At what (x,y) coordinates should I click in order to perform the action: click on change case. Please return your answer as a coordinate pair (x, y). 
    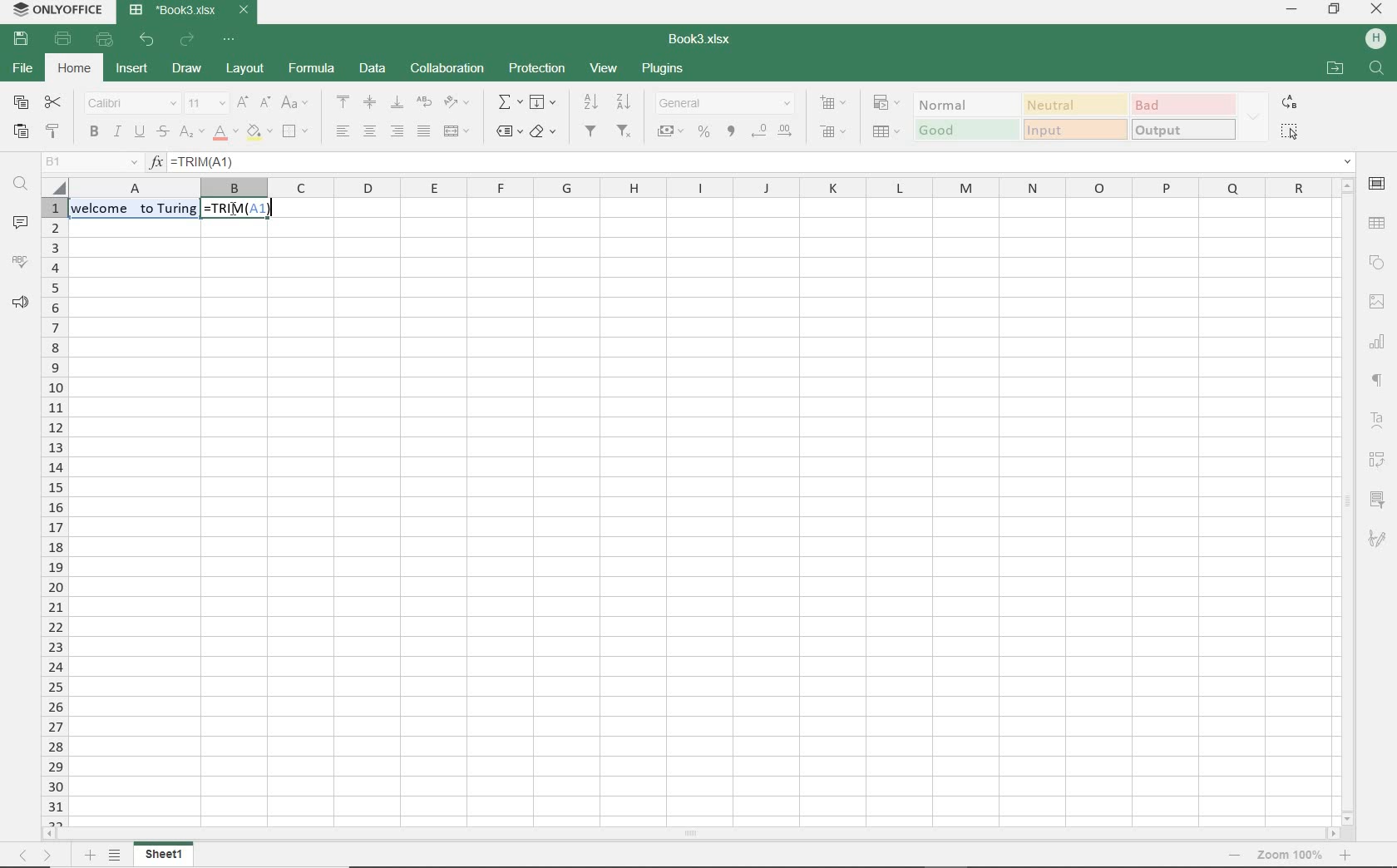
    Looking at the image, I should click on (295, 104).